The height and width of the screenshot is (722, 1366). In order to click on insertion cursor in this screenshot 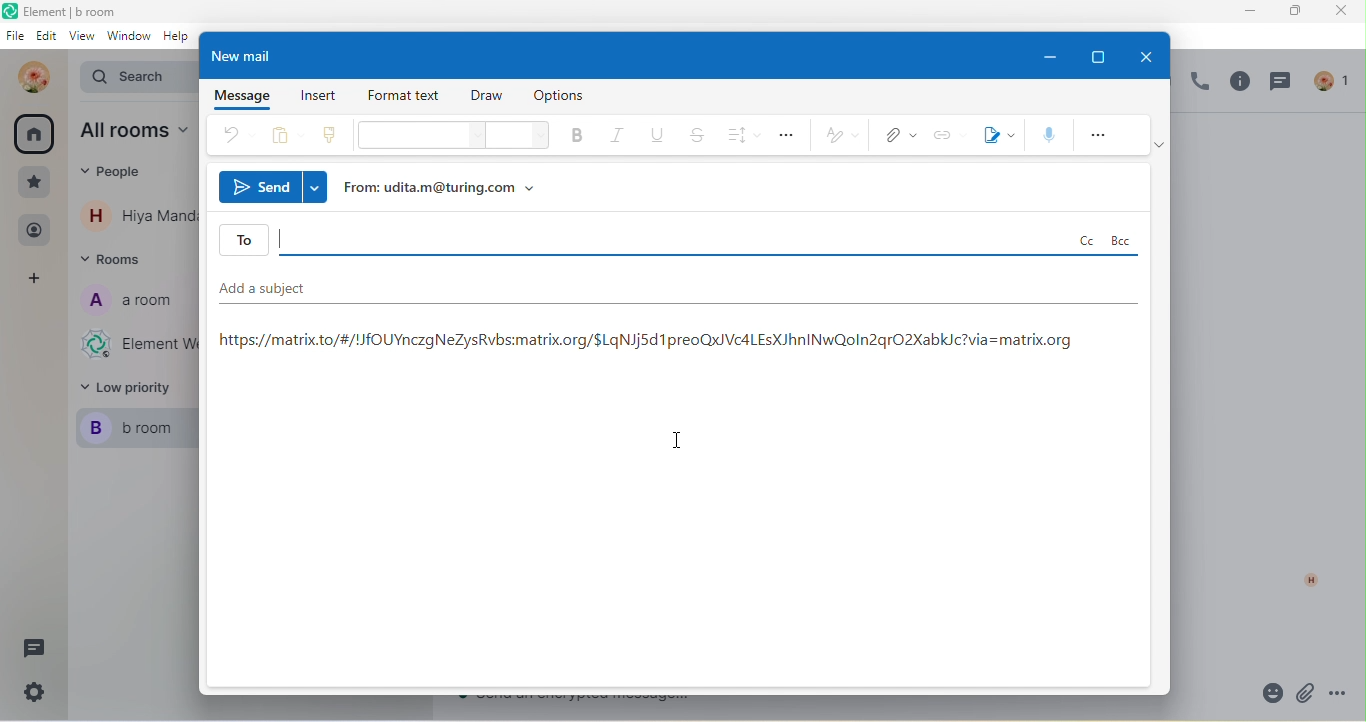, I will do `click(678, 440)`.